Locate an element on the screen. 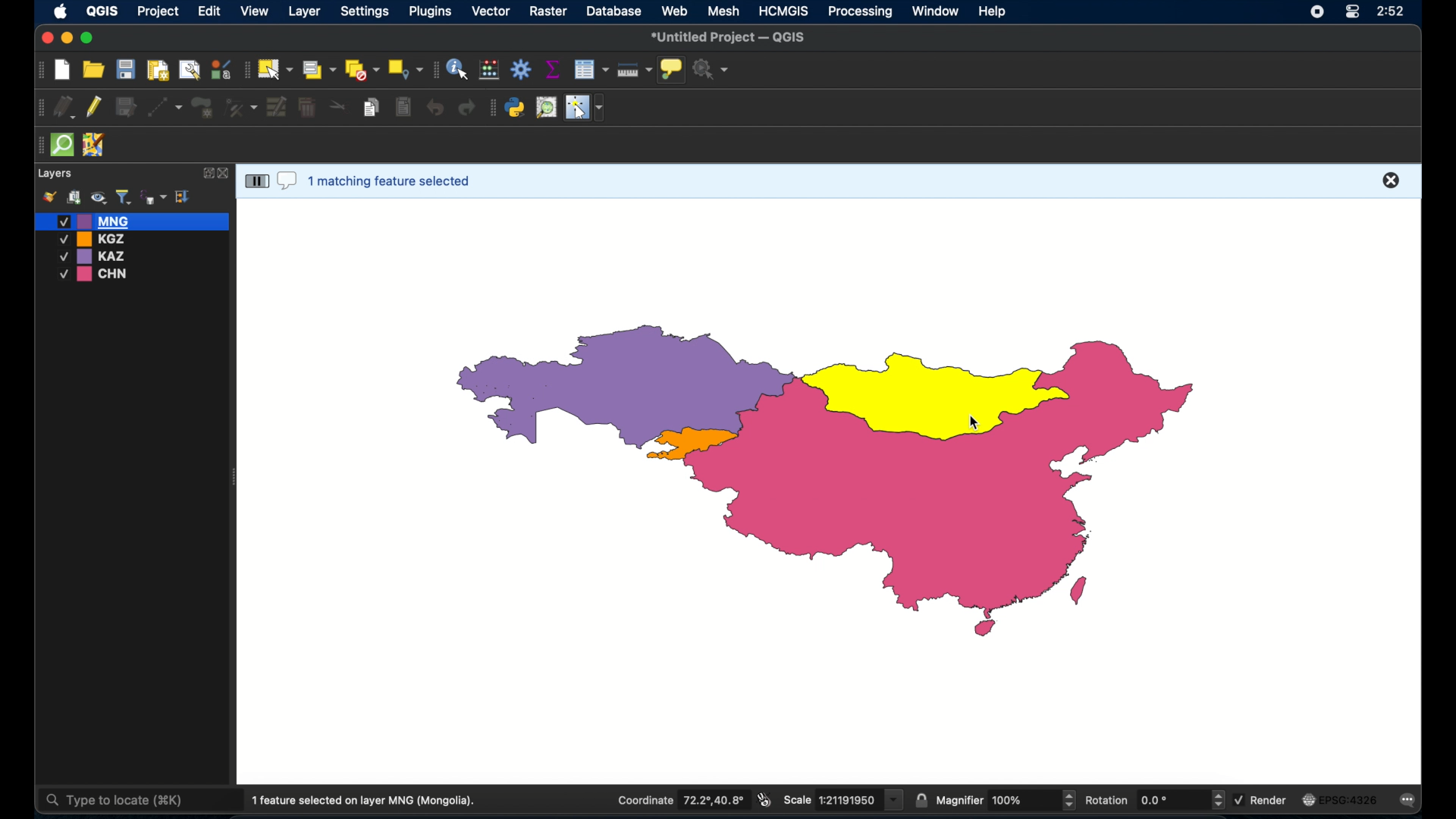 The width and height of the screenshot is (1456, 819). magnifier 100% is located at coordinates (1006, 800).